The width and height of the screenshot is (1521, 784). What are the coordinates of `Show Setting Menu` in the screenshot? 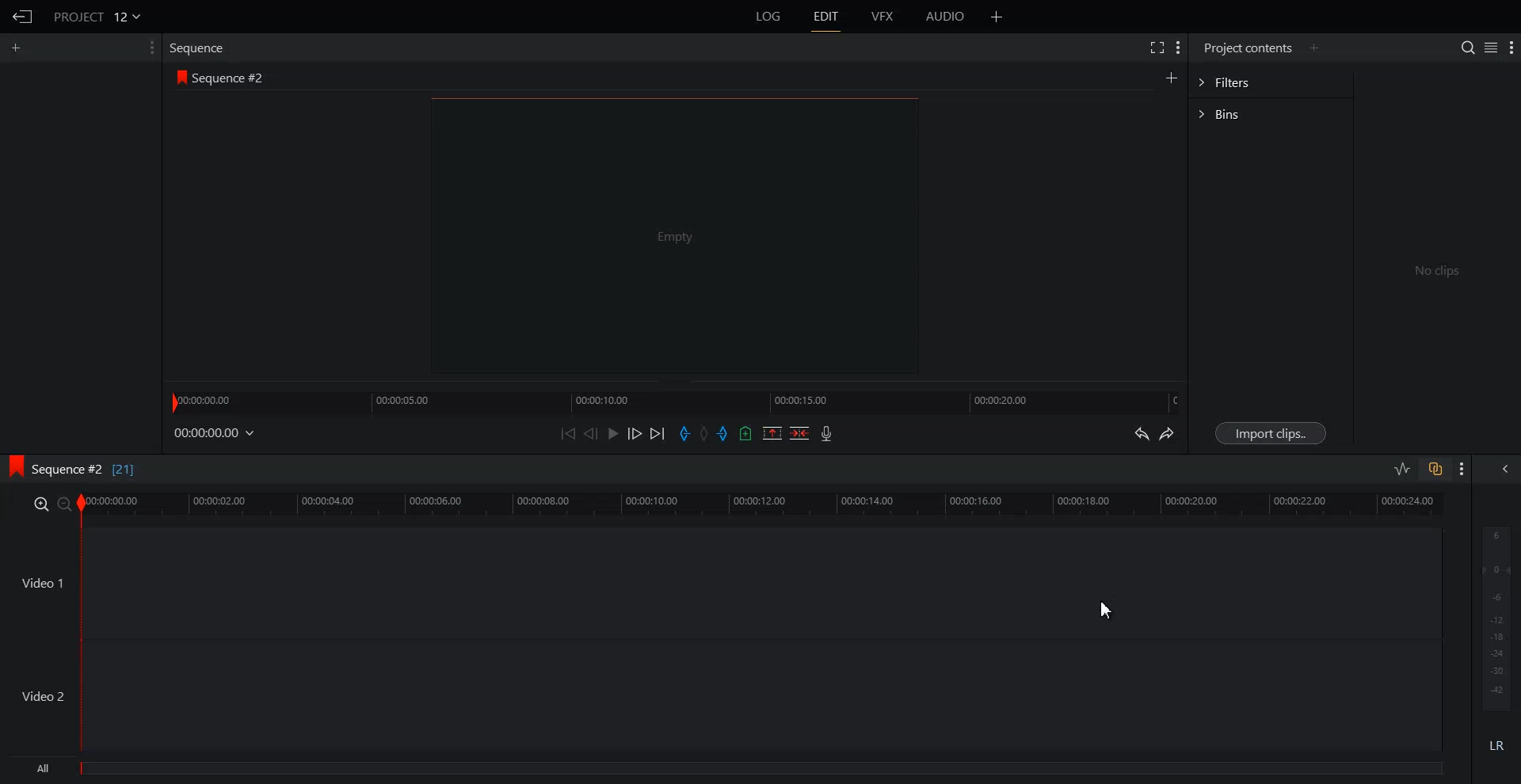 It's located at (1462, 470).